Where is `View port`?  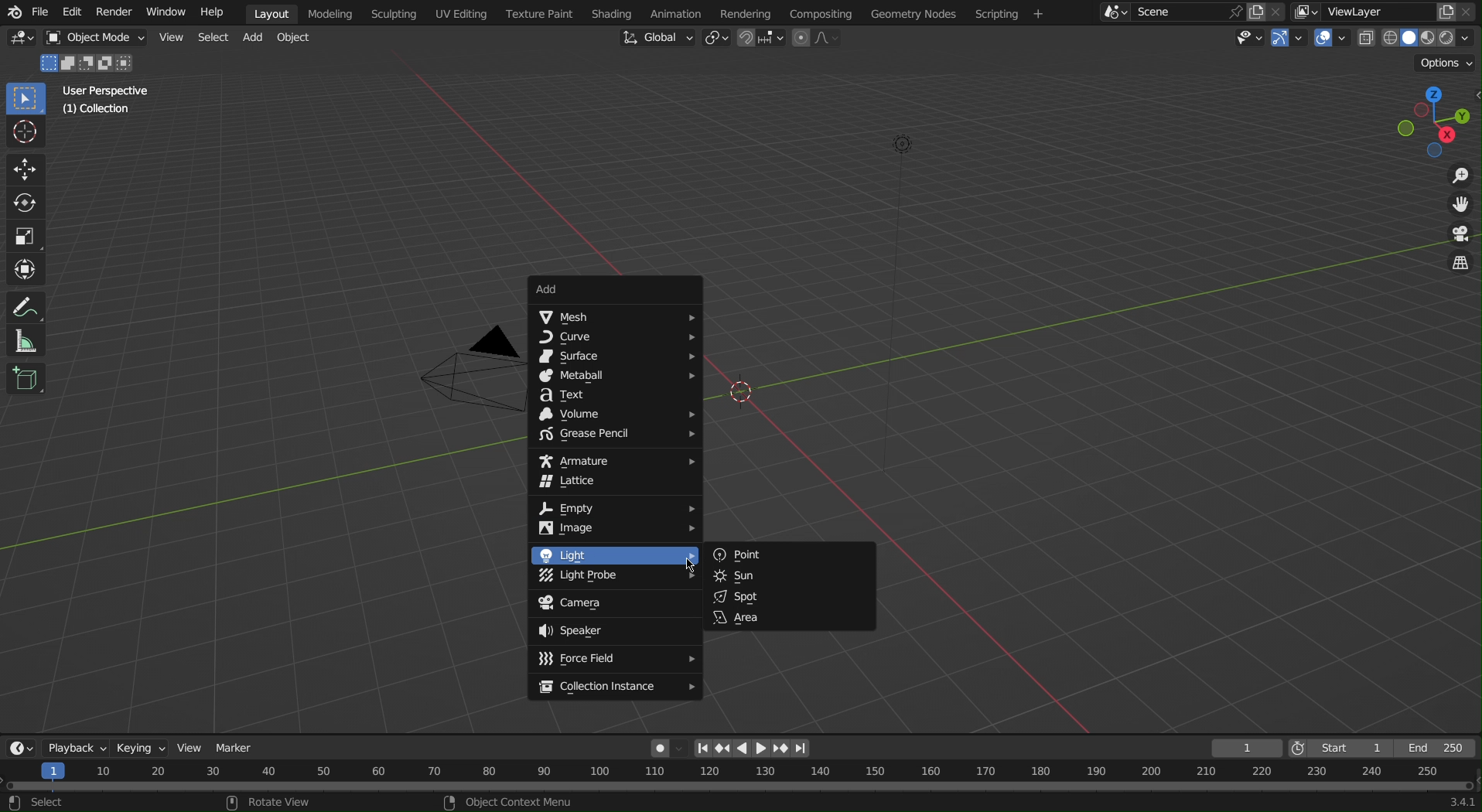
View port is located at coordinates (1438, 120).